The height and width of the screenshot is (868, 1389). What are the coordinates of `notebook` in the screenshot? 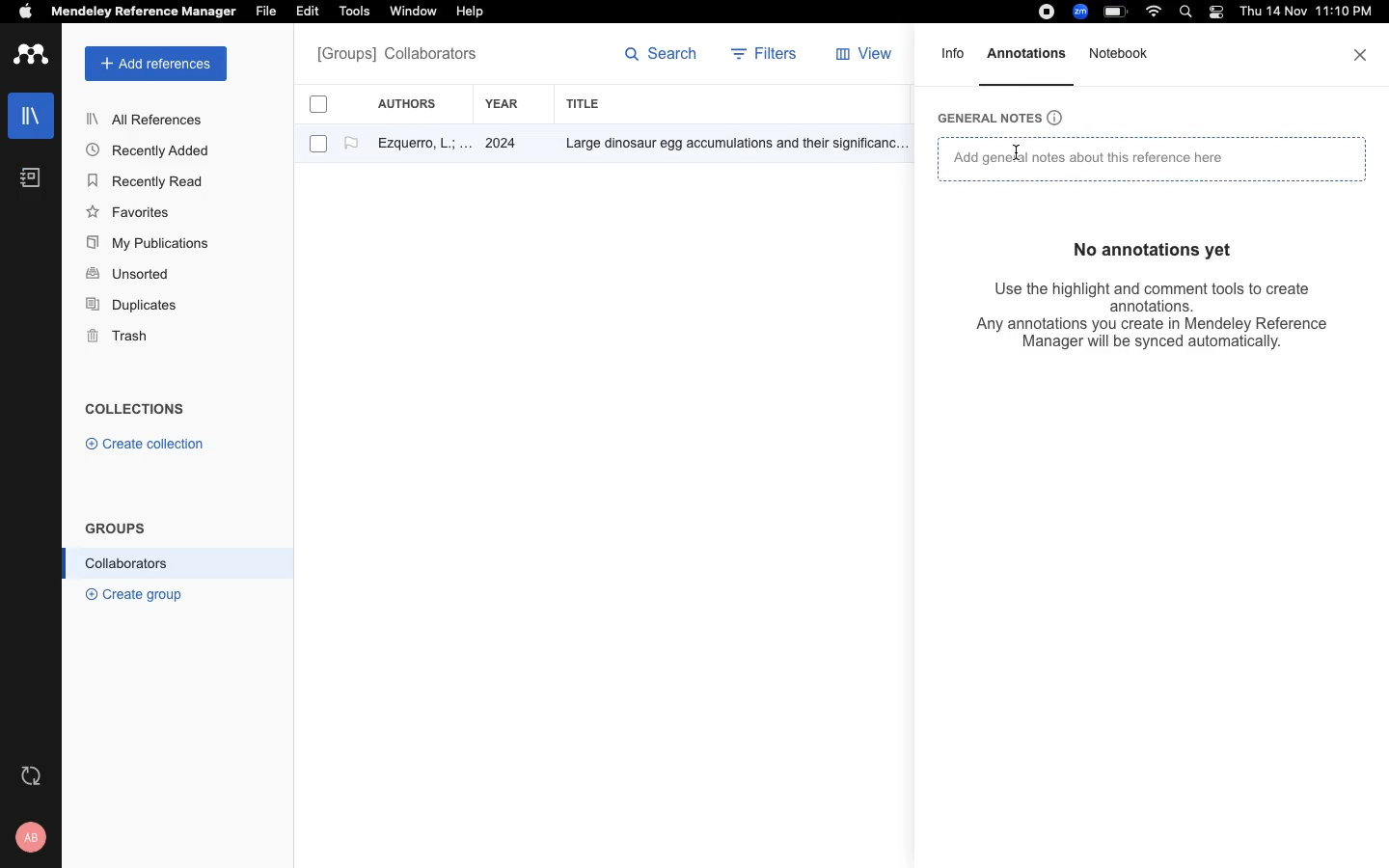 It's located at (1122, 64).